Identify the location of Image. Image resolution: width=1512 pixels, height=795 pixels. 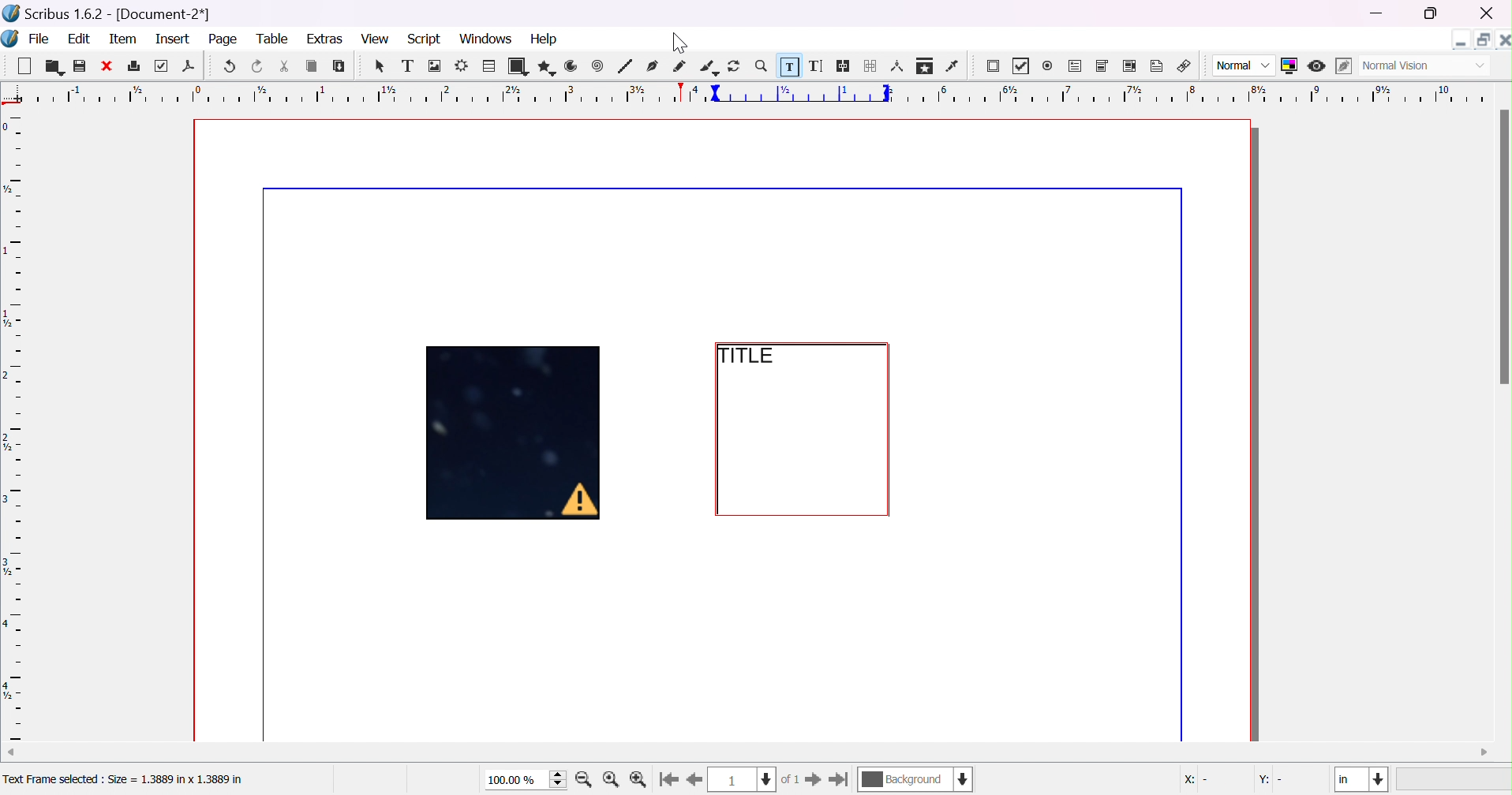
(516, 435).